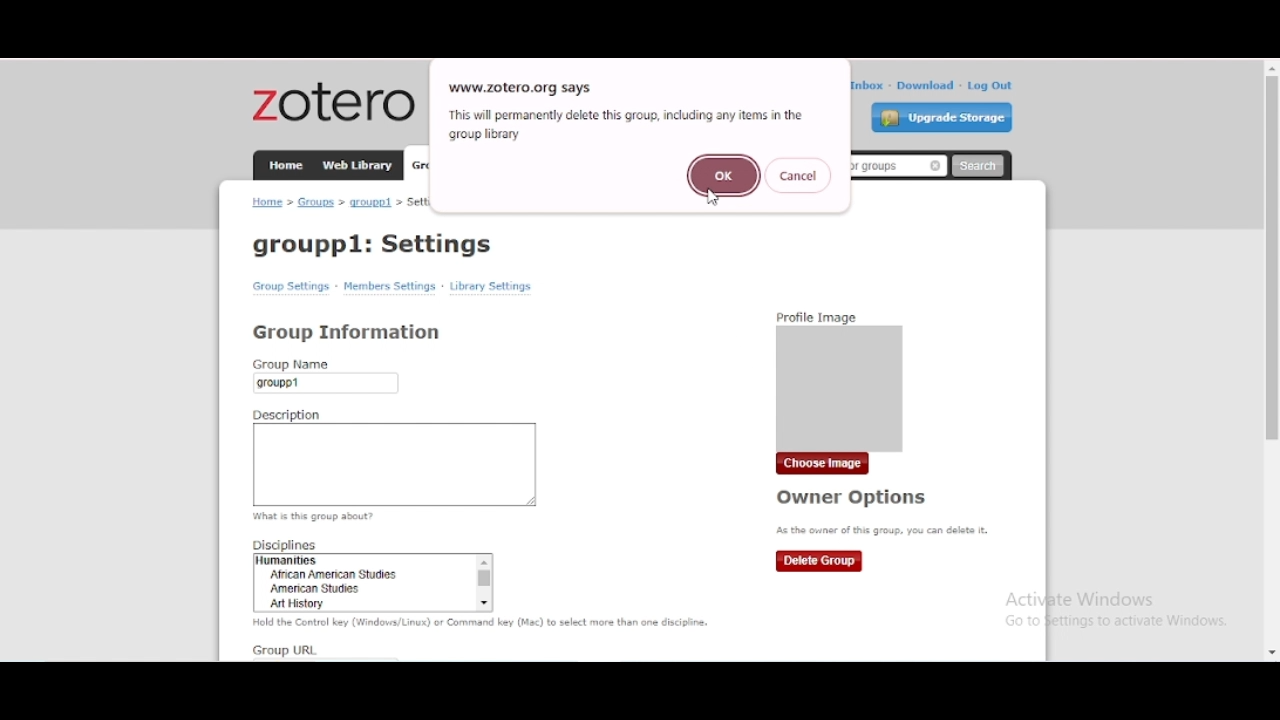 This screenshot has width=1280, height=720. I want to click on upgrade storage, so click(942, 117).